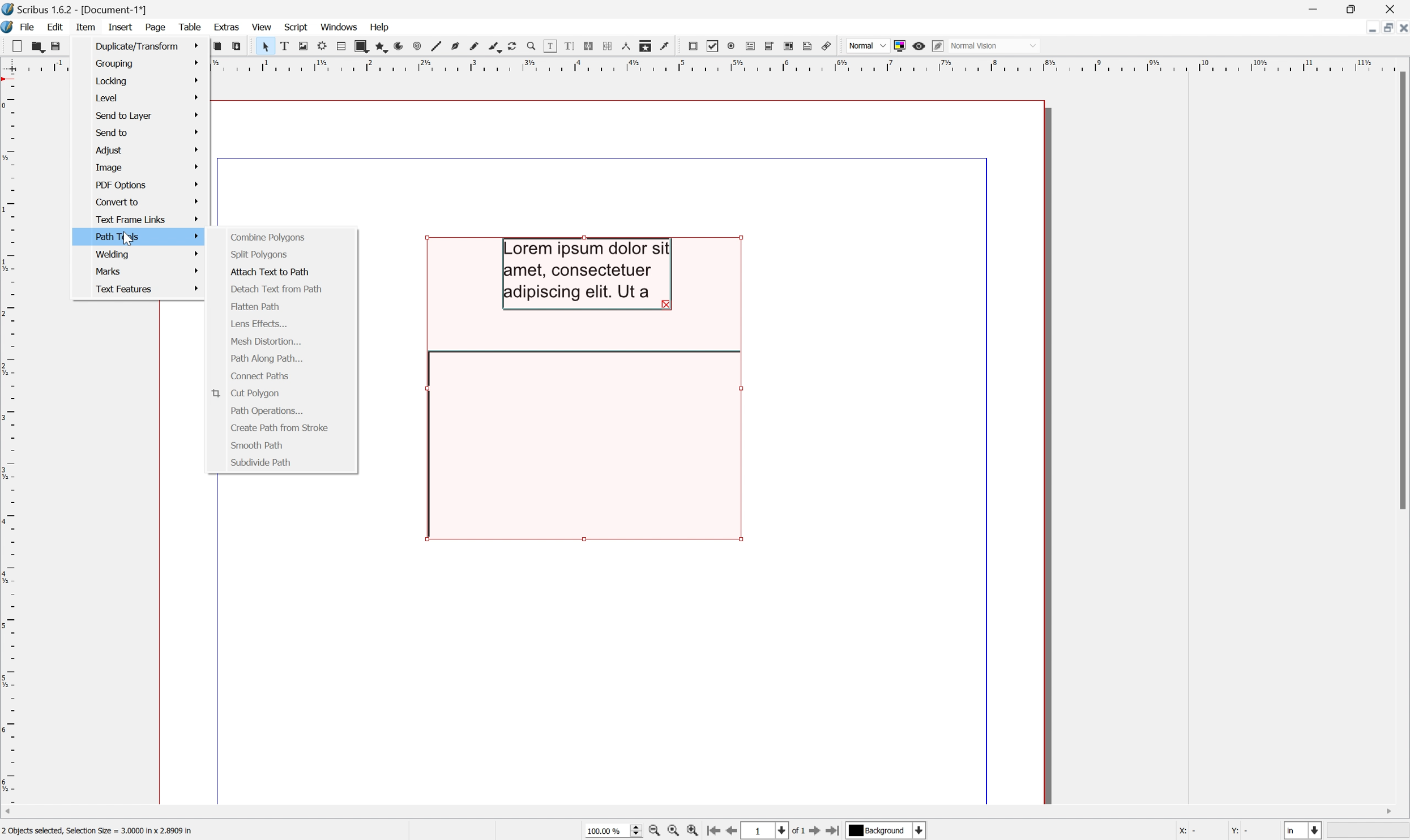 This screenshot has width=1410, height=840. I want to click on Lens effects..., so click(259, 324).